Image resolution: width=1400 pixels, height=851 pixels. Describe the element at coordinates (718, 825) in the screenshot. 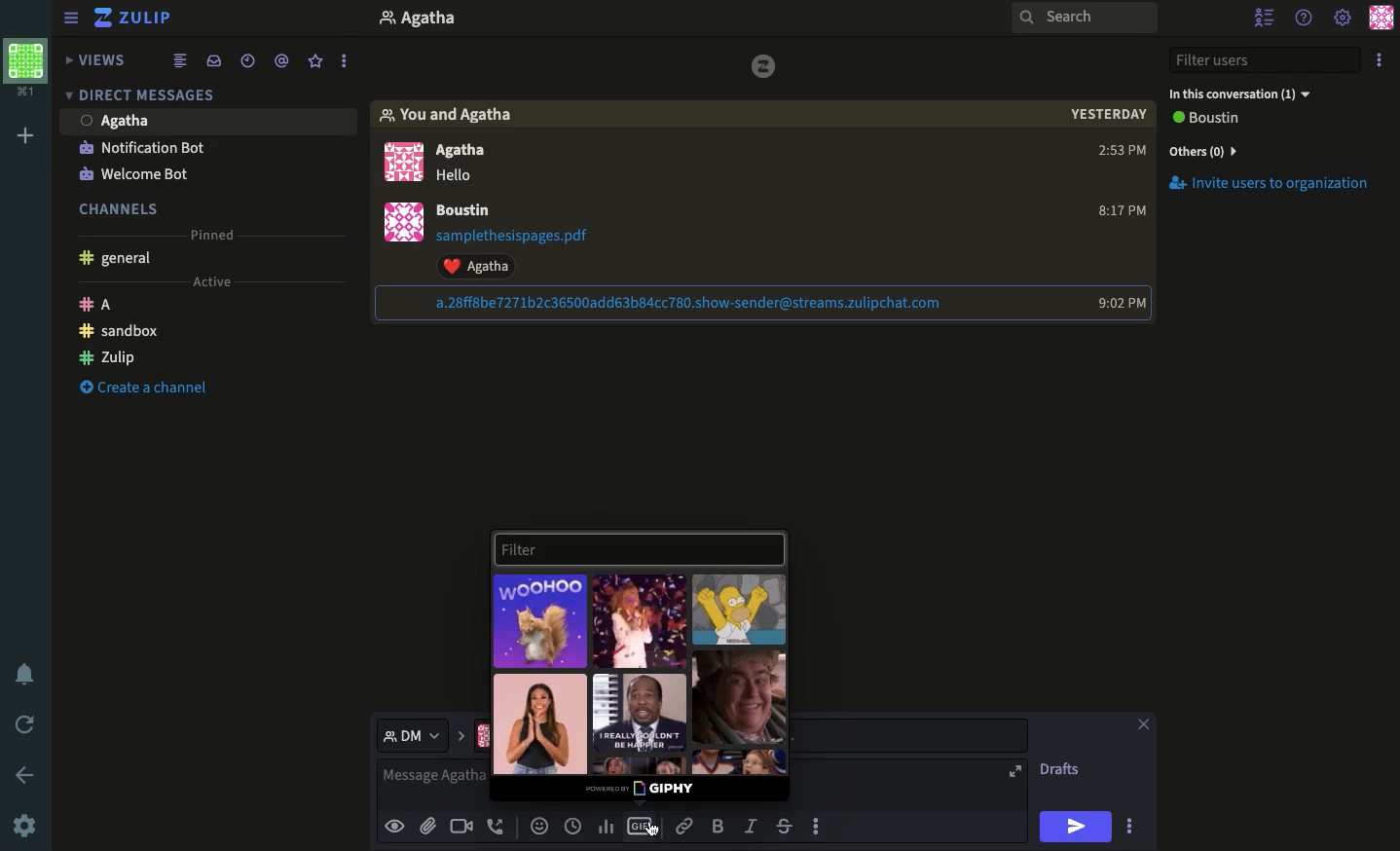

I see `Bold` at that location.